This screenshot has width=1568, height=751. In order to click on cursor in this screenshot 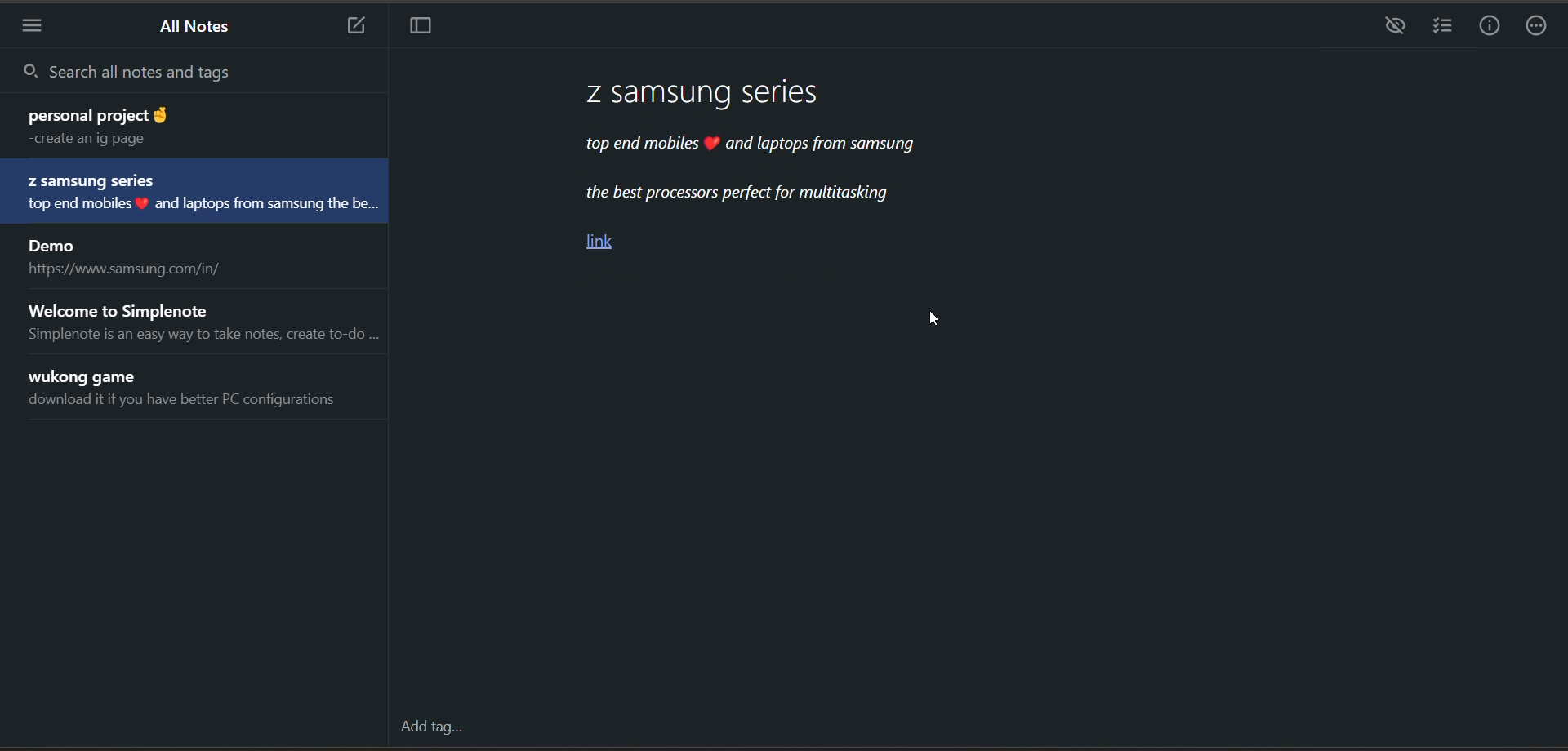, I will do `click(933, 324)`.